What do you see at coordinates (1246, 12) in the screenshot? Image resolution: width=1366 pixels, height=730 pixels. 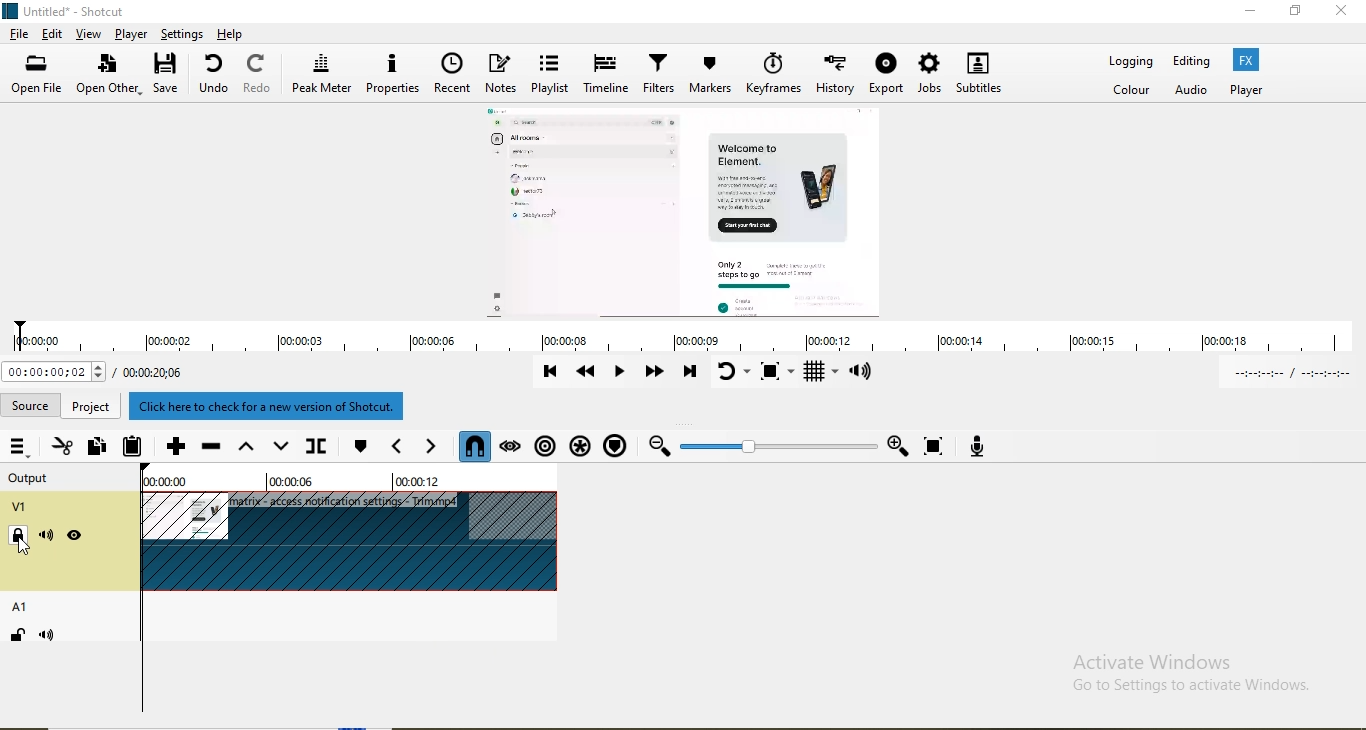 I see `Minimise` at bounding box center [1246, 12].